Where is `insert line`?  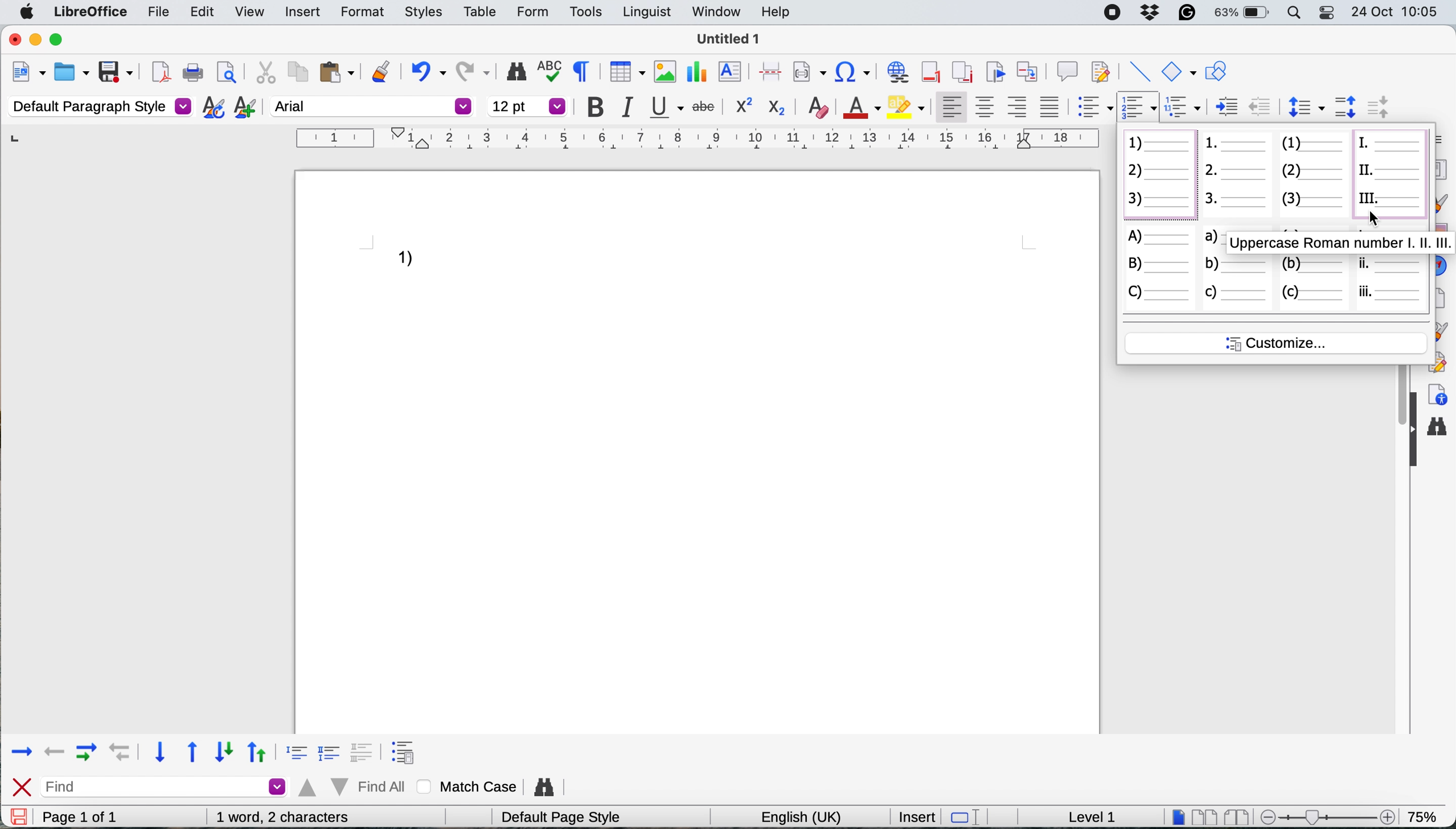 insert line is located at coordinates (1138, 72).